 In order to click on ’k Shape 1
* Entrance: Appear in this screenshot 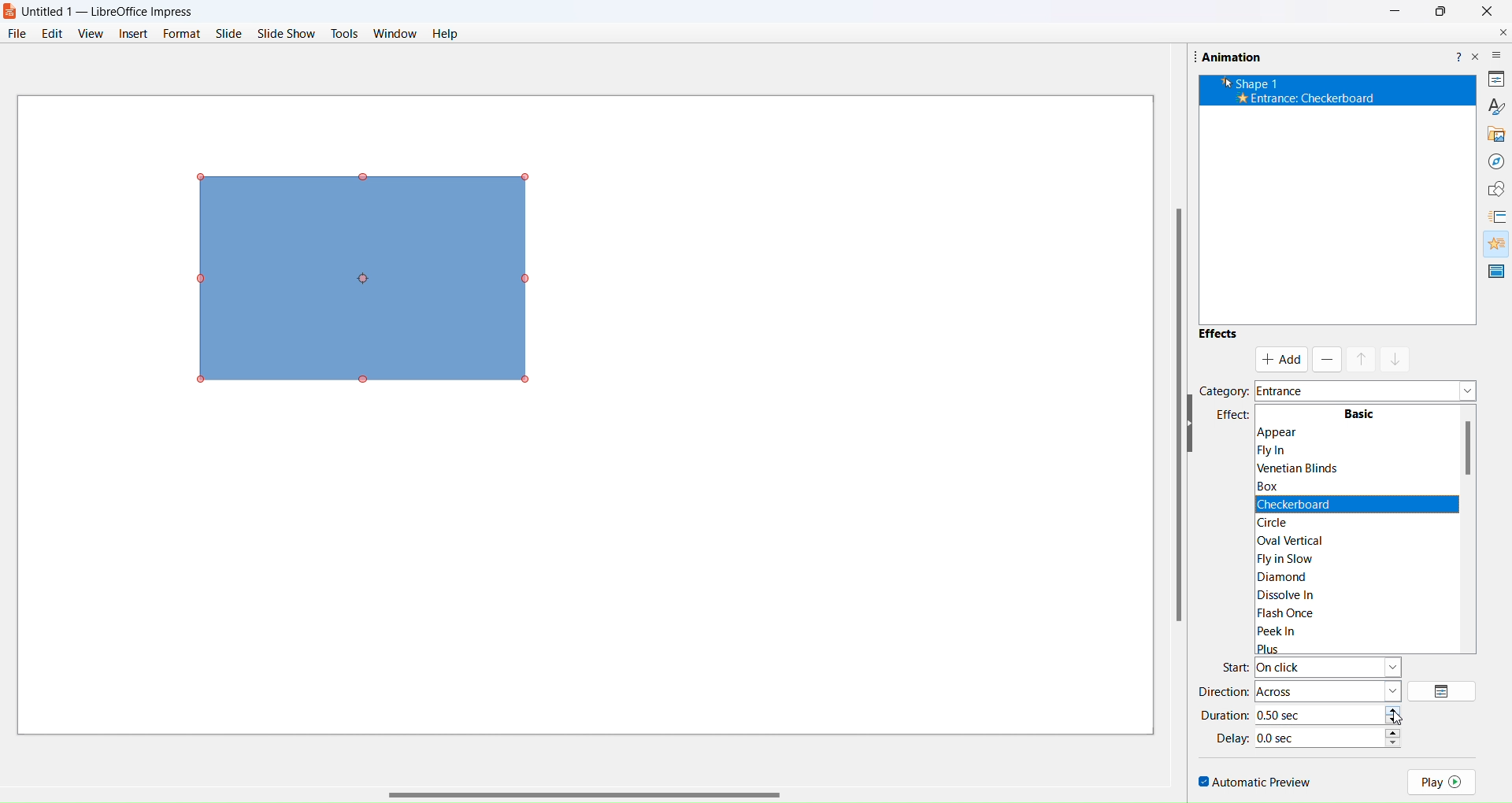, I will do `click(1298, 91)`.